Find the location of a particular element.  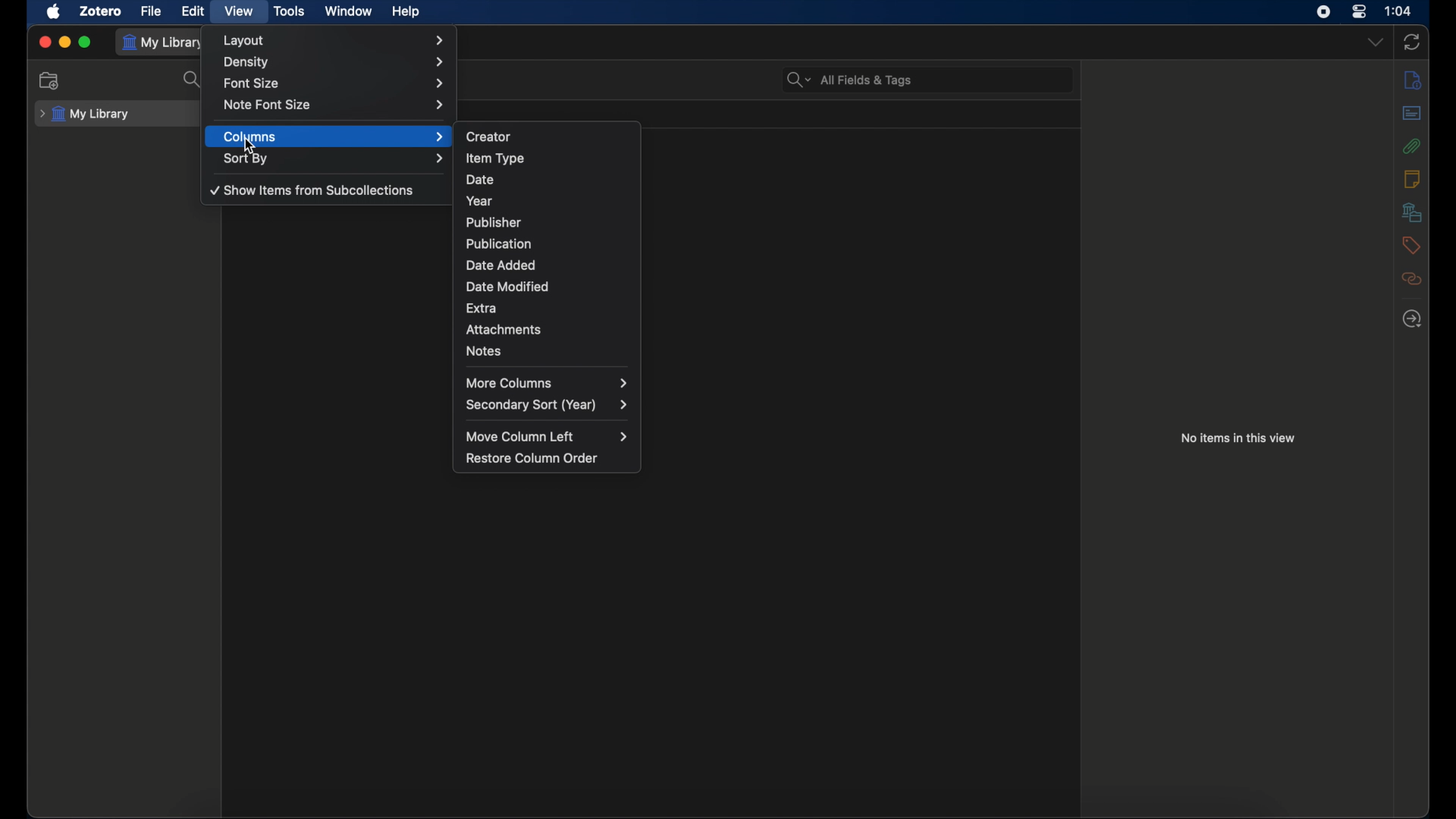

creator is located at coordinates (488, 136).